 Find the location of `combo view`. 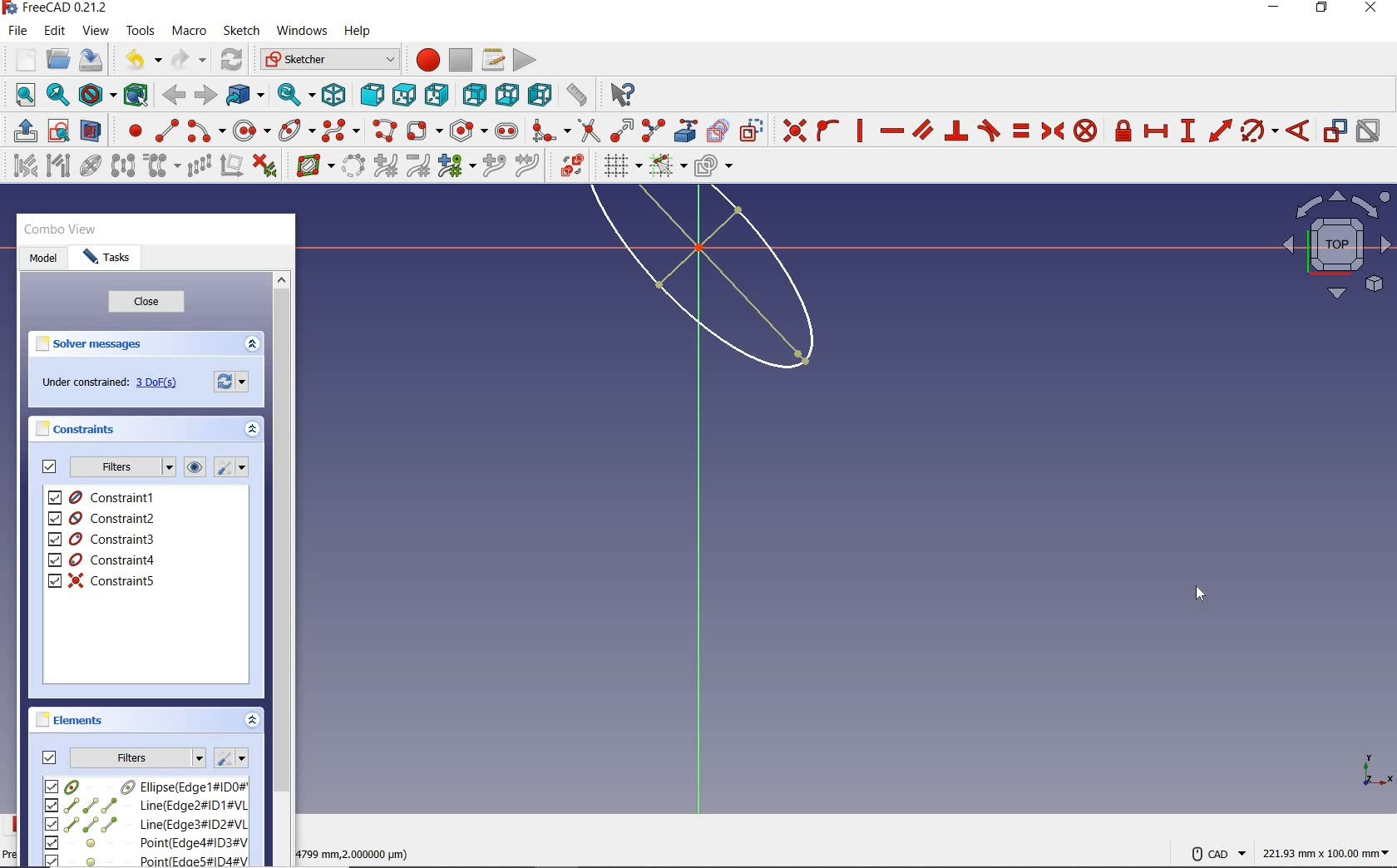

combo view is located at coordinates (61, 229).